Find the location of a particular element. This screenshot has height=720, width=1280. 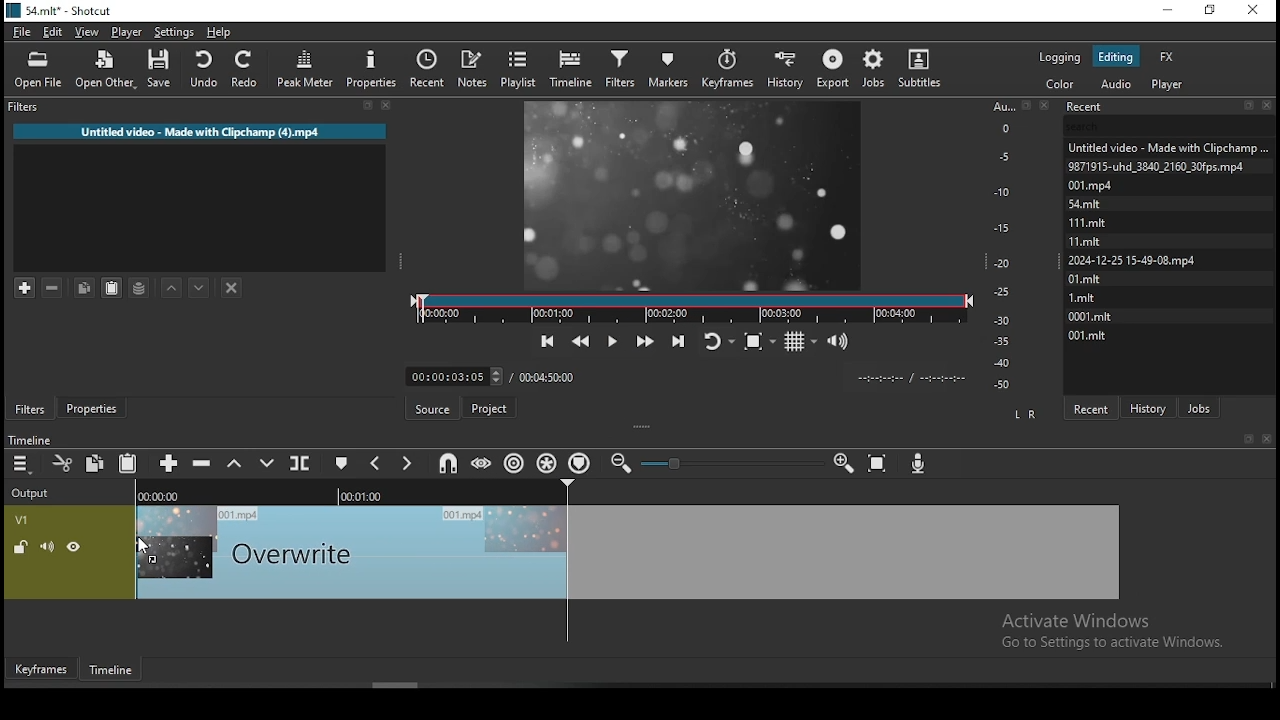

filters is located at coordinates (623, 68).